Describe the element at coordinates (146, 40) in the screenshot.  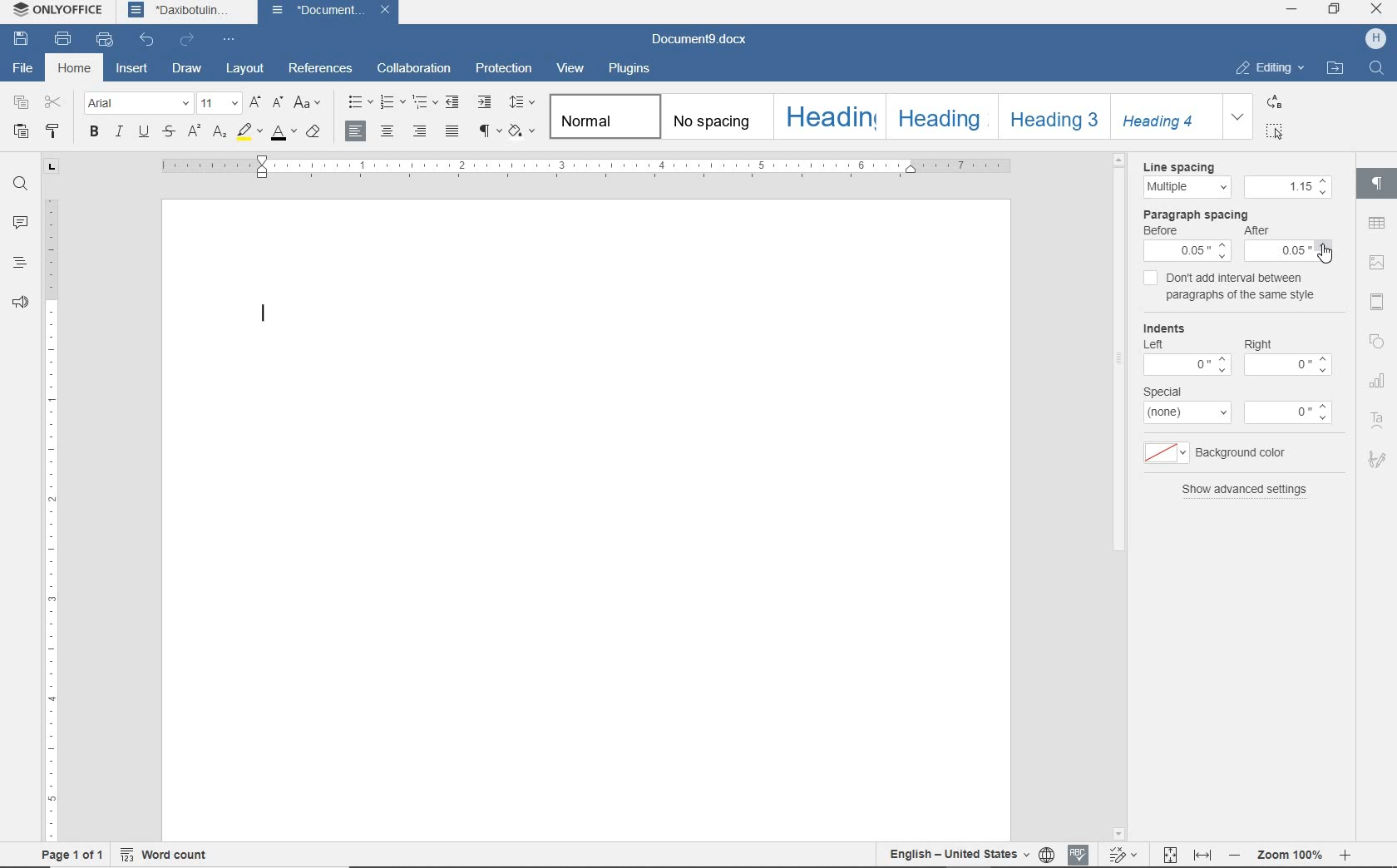
I see `undo` at that location.